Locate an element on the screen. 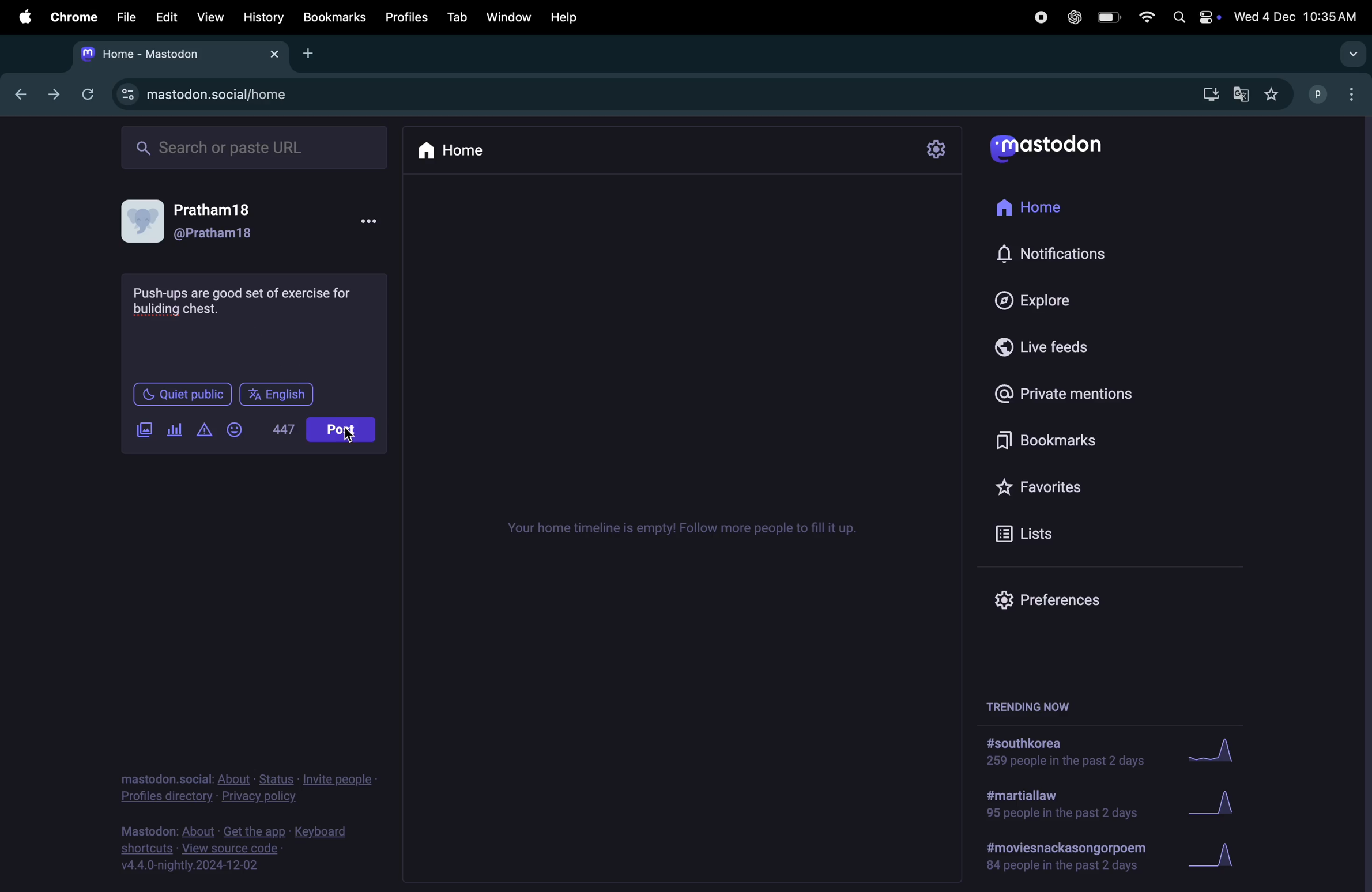 This screenshot has height=892, width=1372. 500 words is located at coordinates (286, 429).